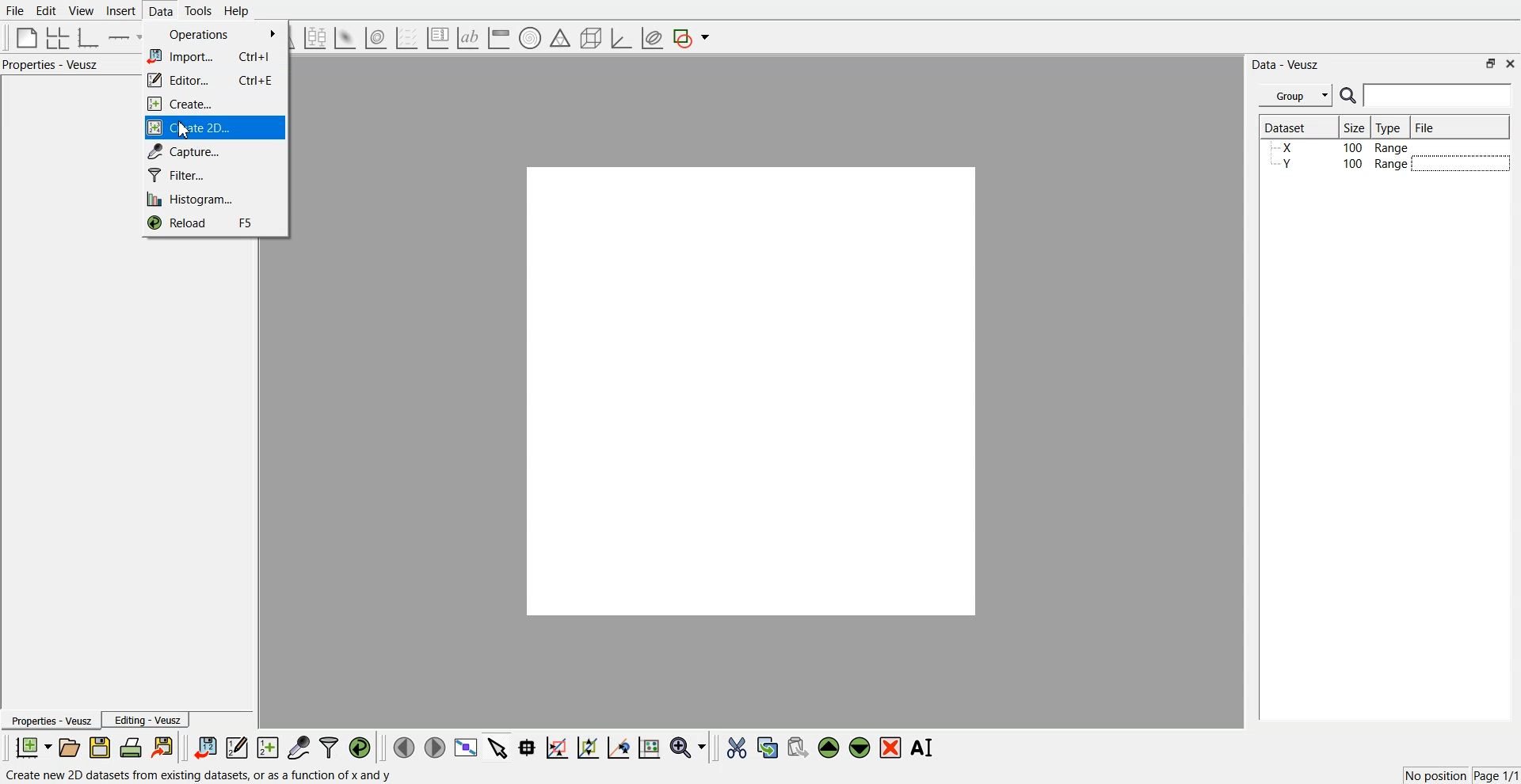  I want to click on Open the document, so click(68, 748).